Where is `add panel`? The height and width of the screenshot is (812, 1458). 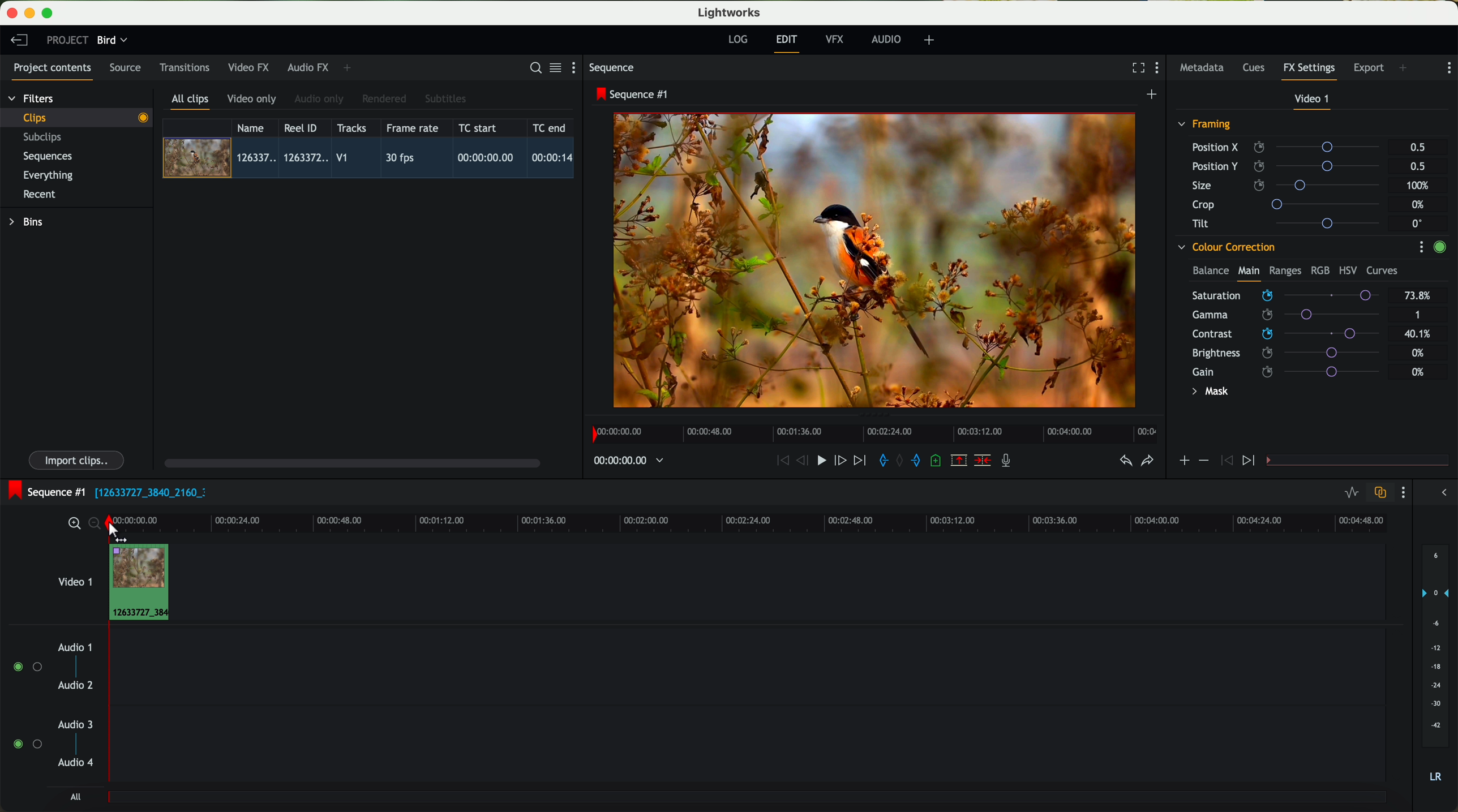
add panel is located at coordinates (1406, 69).